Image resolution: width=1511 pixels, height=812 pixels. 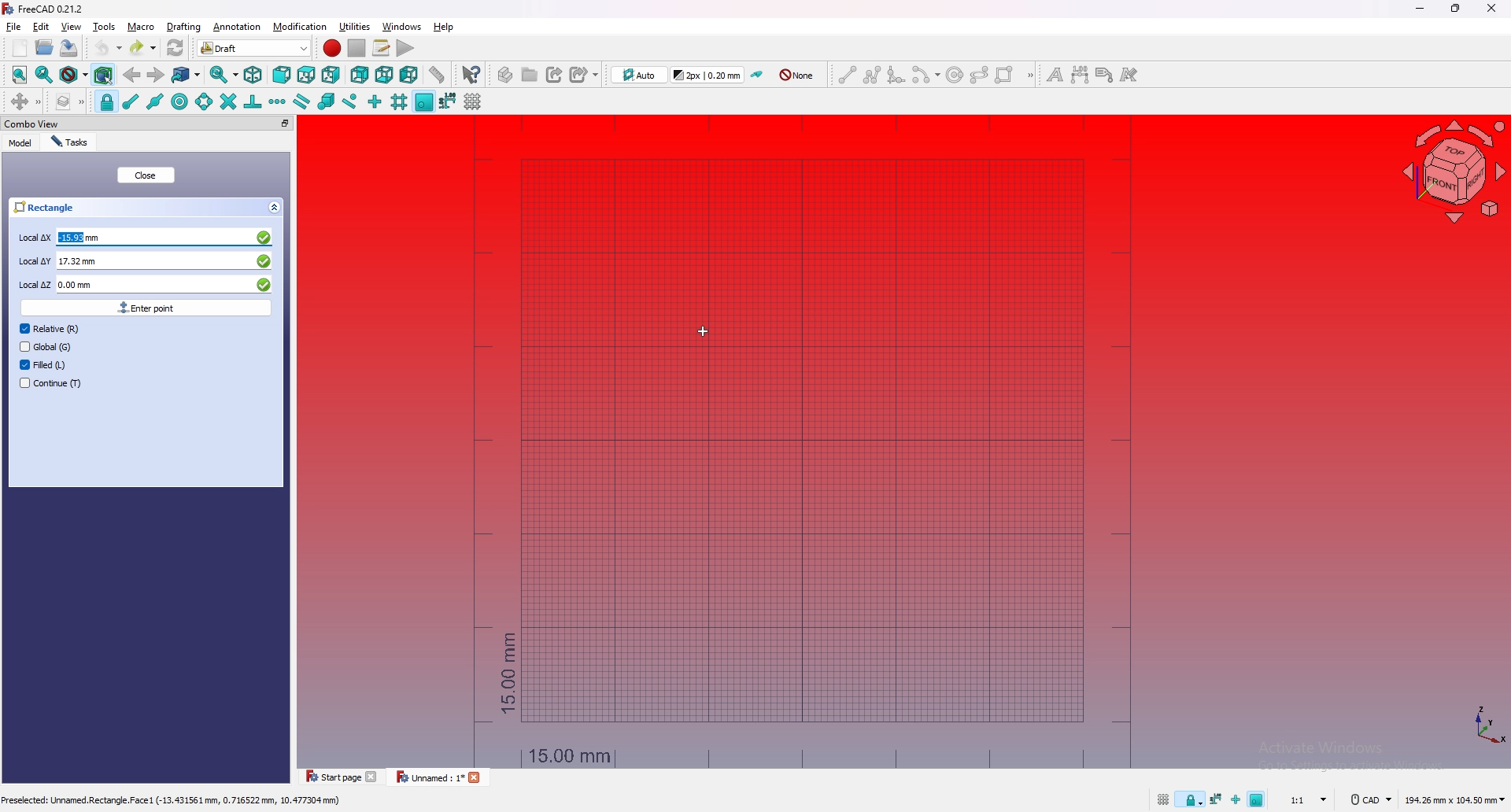 I want to click on forward, so click(x=156, y=75).